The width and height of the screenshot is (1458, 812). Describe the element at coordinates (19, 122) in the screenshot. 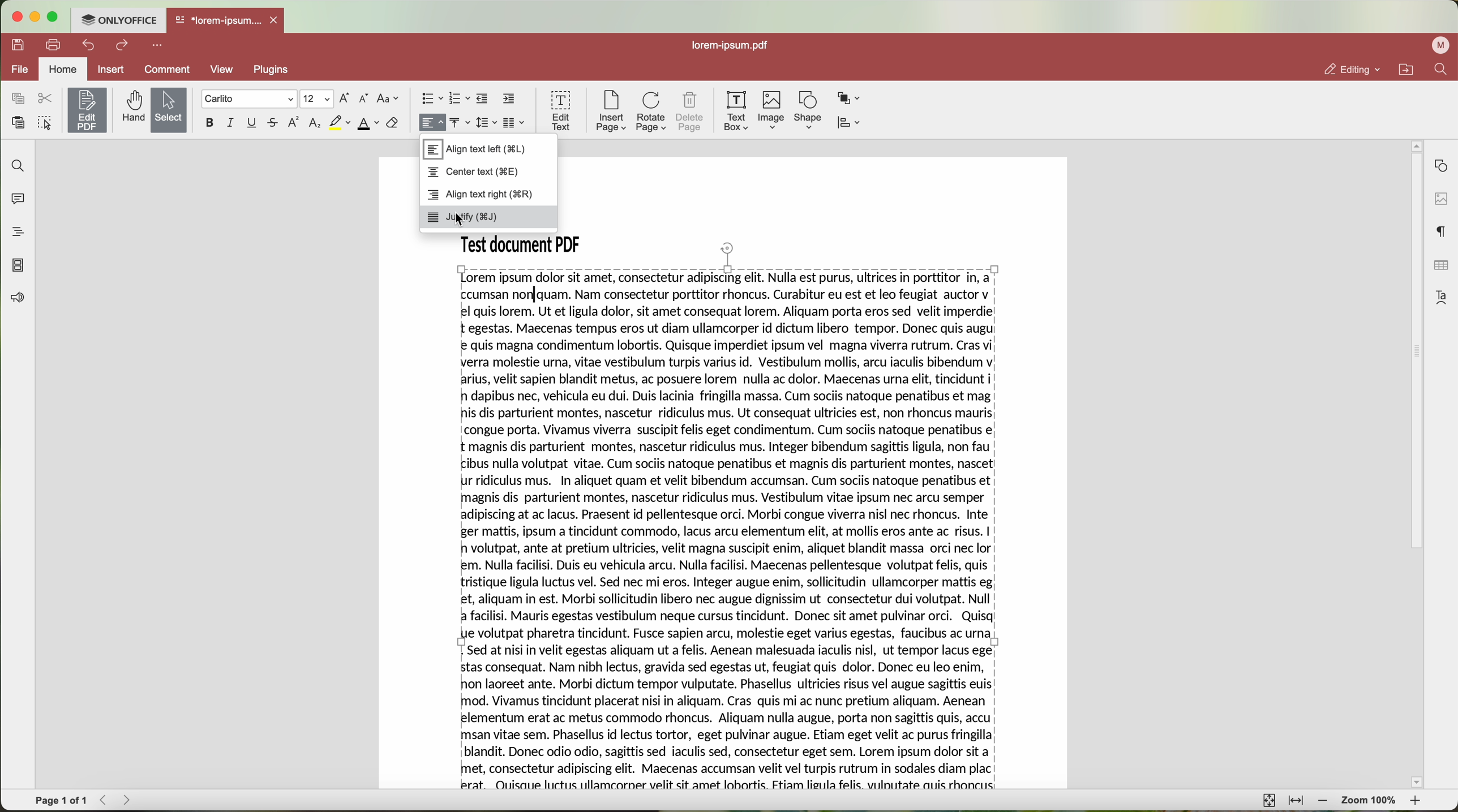

I see `paste` at that location.